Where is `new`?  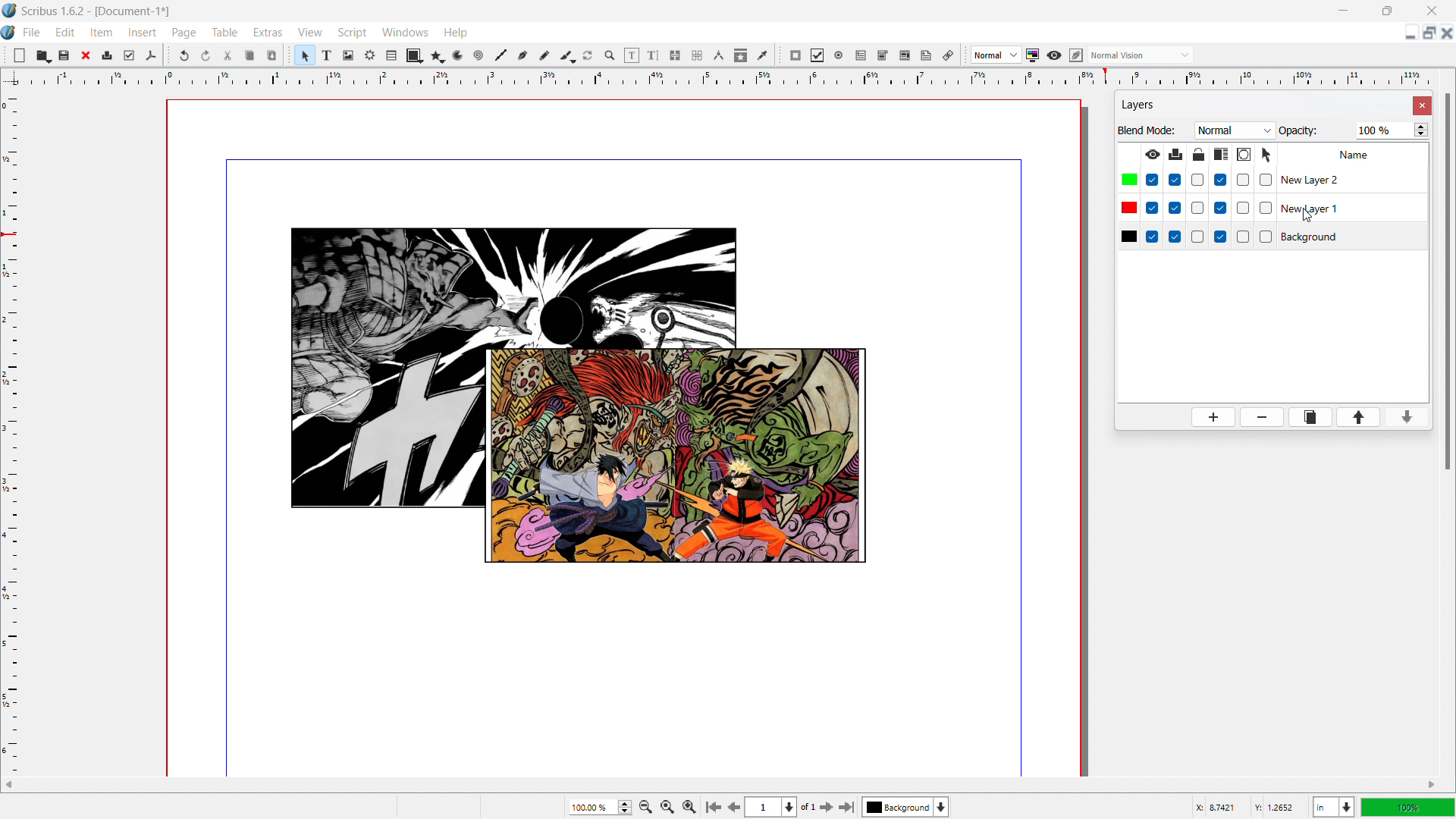 new is located at coordinates (20, 55).